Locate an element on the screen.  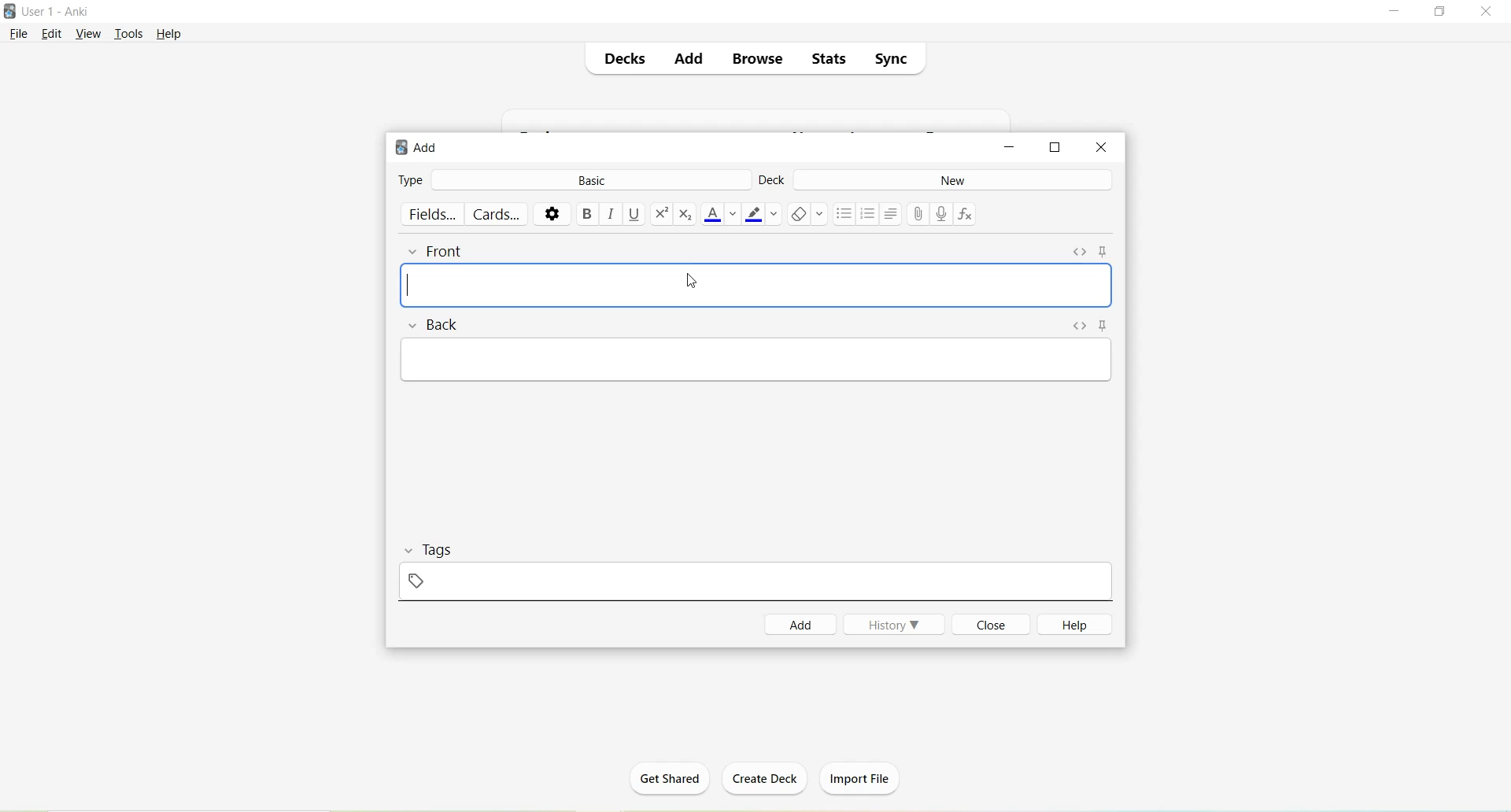
User 1 - Anki is located at coordinates (57, 11).